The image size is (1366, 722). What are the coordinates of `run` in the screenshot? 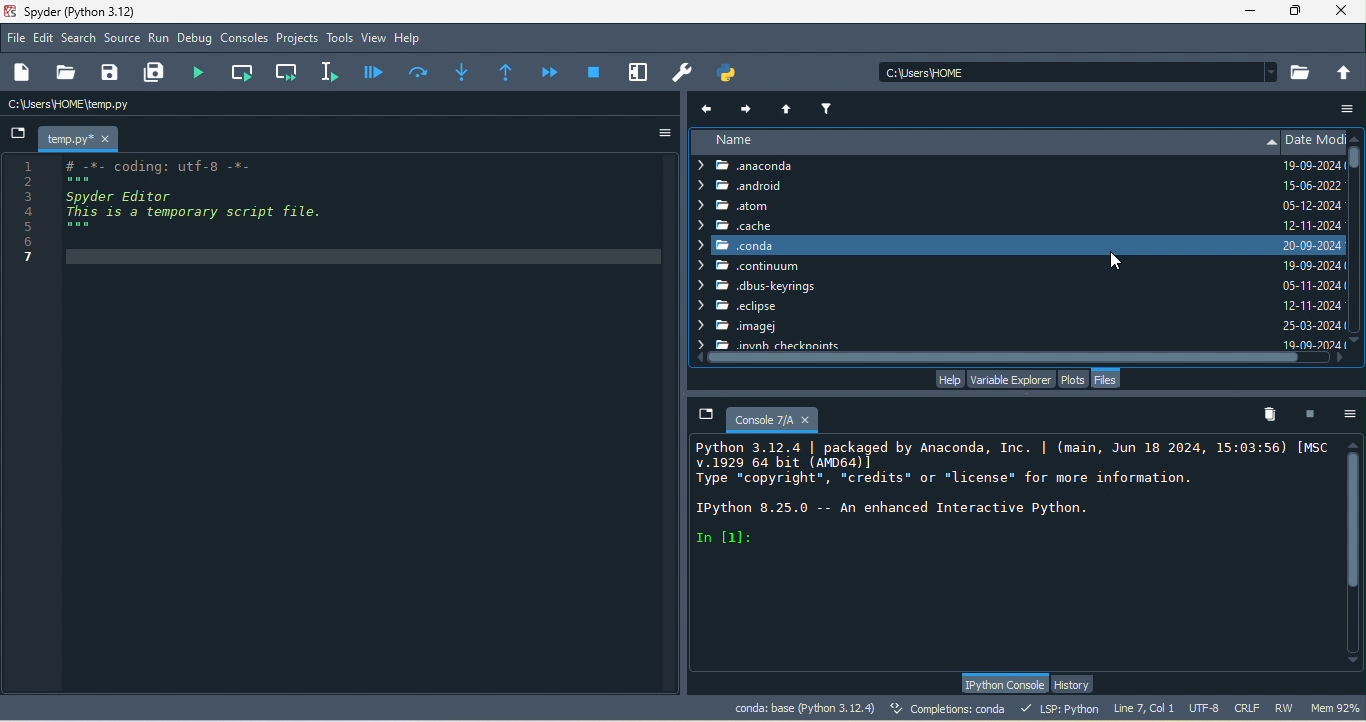 It's located at (159, 39).